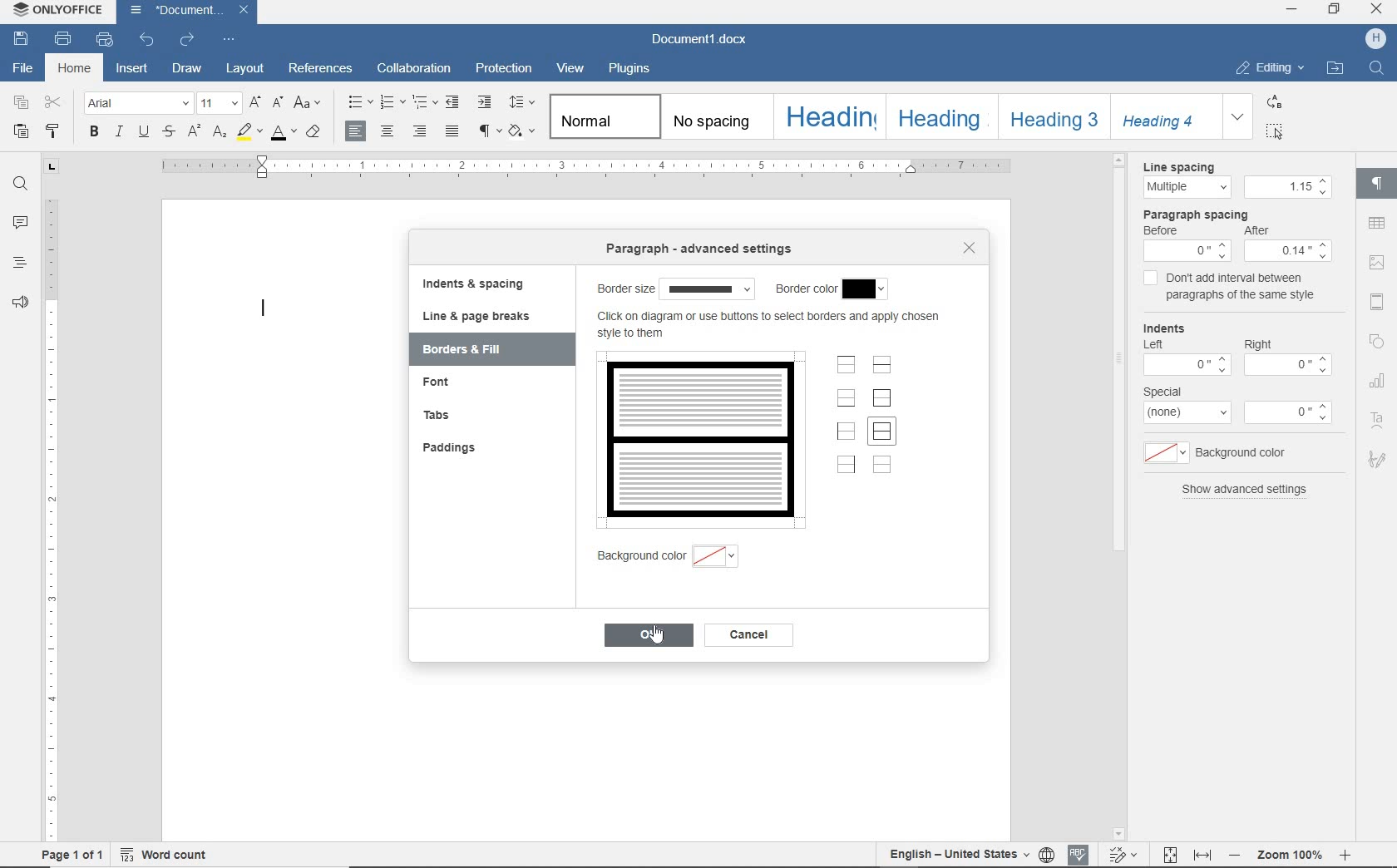 The height and width of the screenshot is (868, 1397). Describe the element at coordinates (244, 70) in the screenshot. I see `layout` at that location.